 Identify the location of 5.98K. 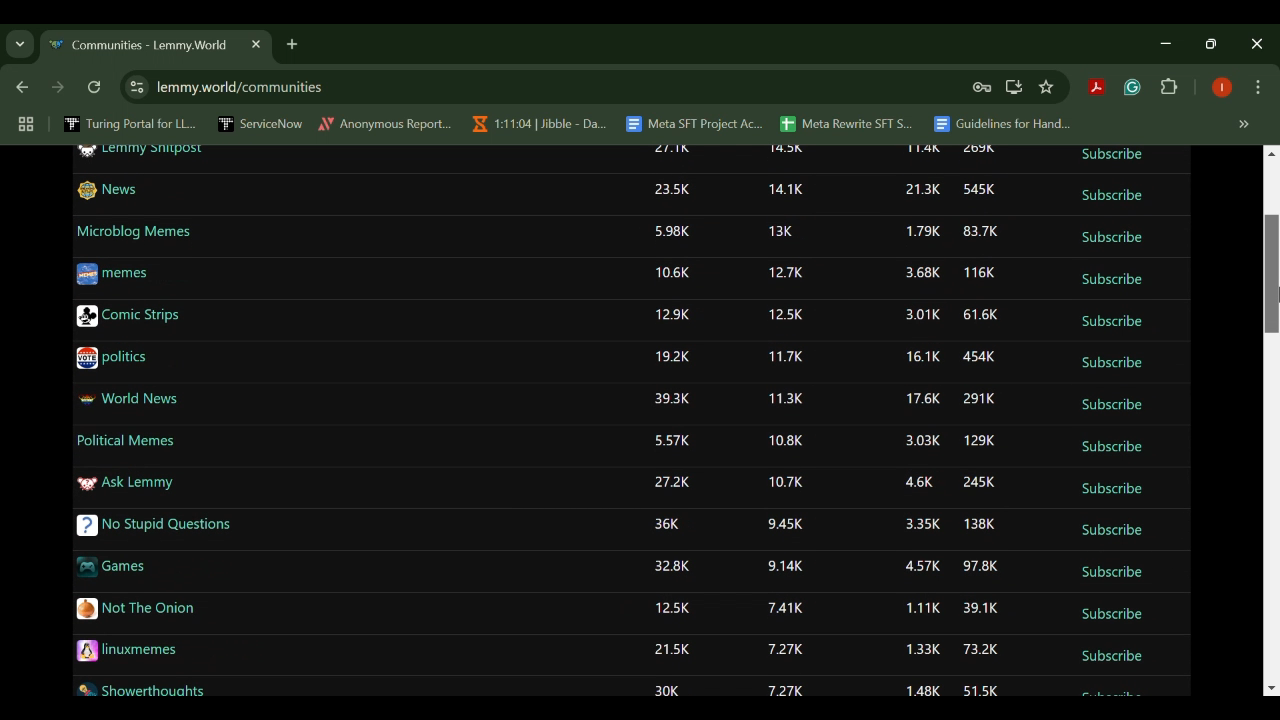
(672, 231).